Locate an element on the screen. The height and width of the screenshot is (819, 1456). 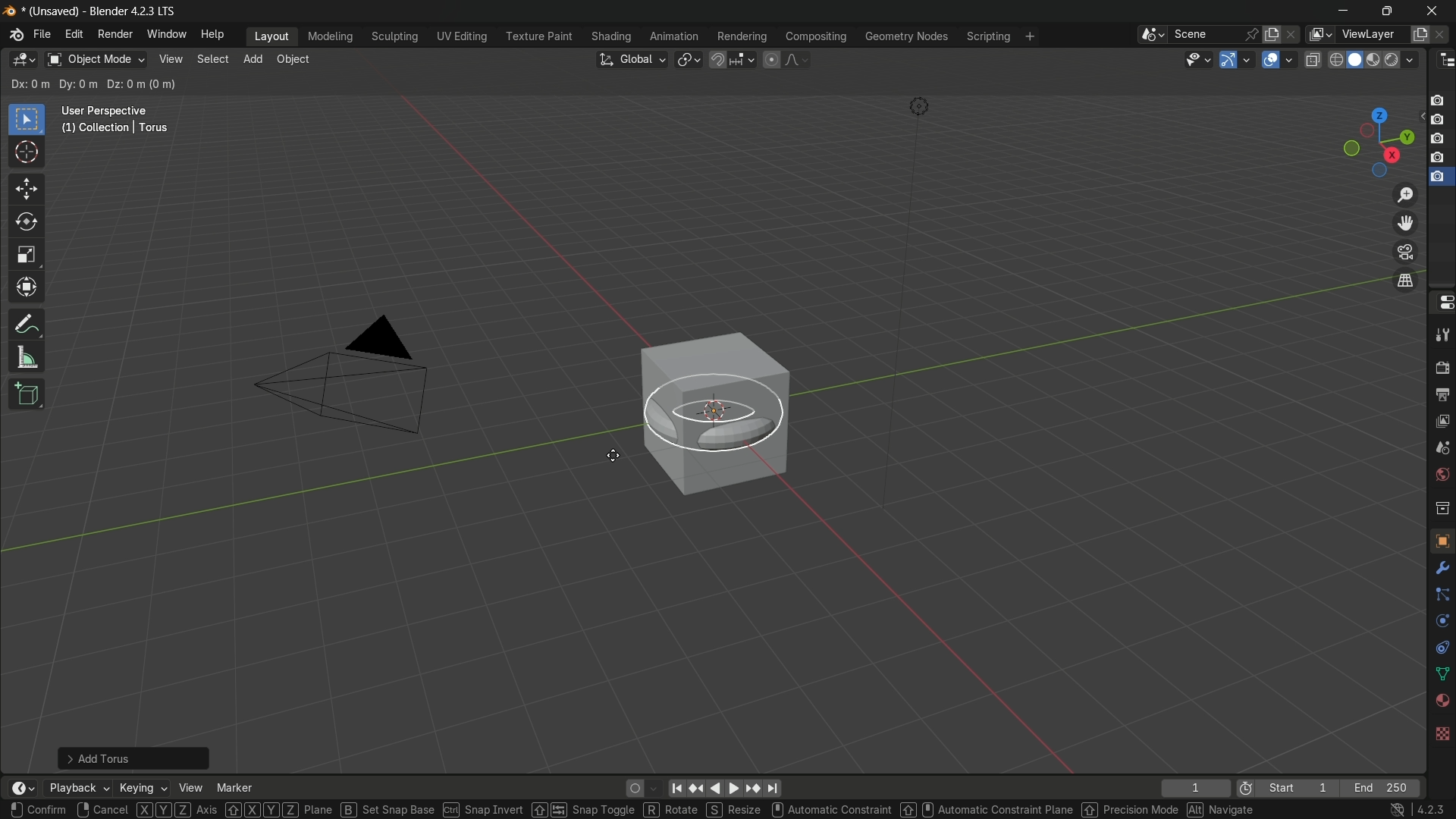
Navigate is located at coordinates (1222, 809).